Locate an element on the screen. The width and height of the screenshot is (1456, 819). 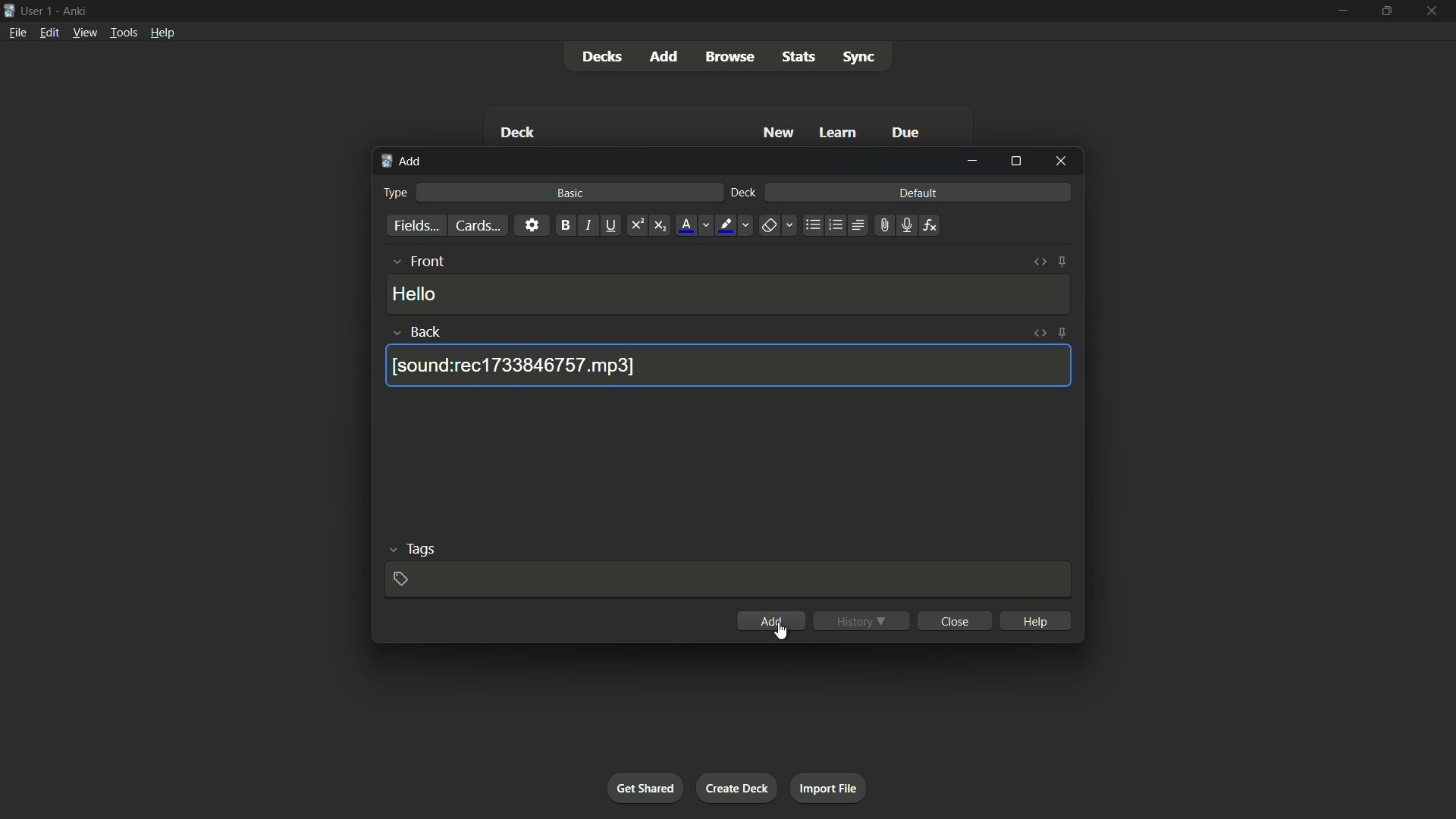
help is located at coordinates (1036, 620).